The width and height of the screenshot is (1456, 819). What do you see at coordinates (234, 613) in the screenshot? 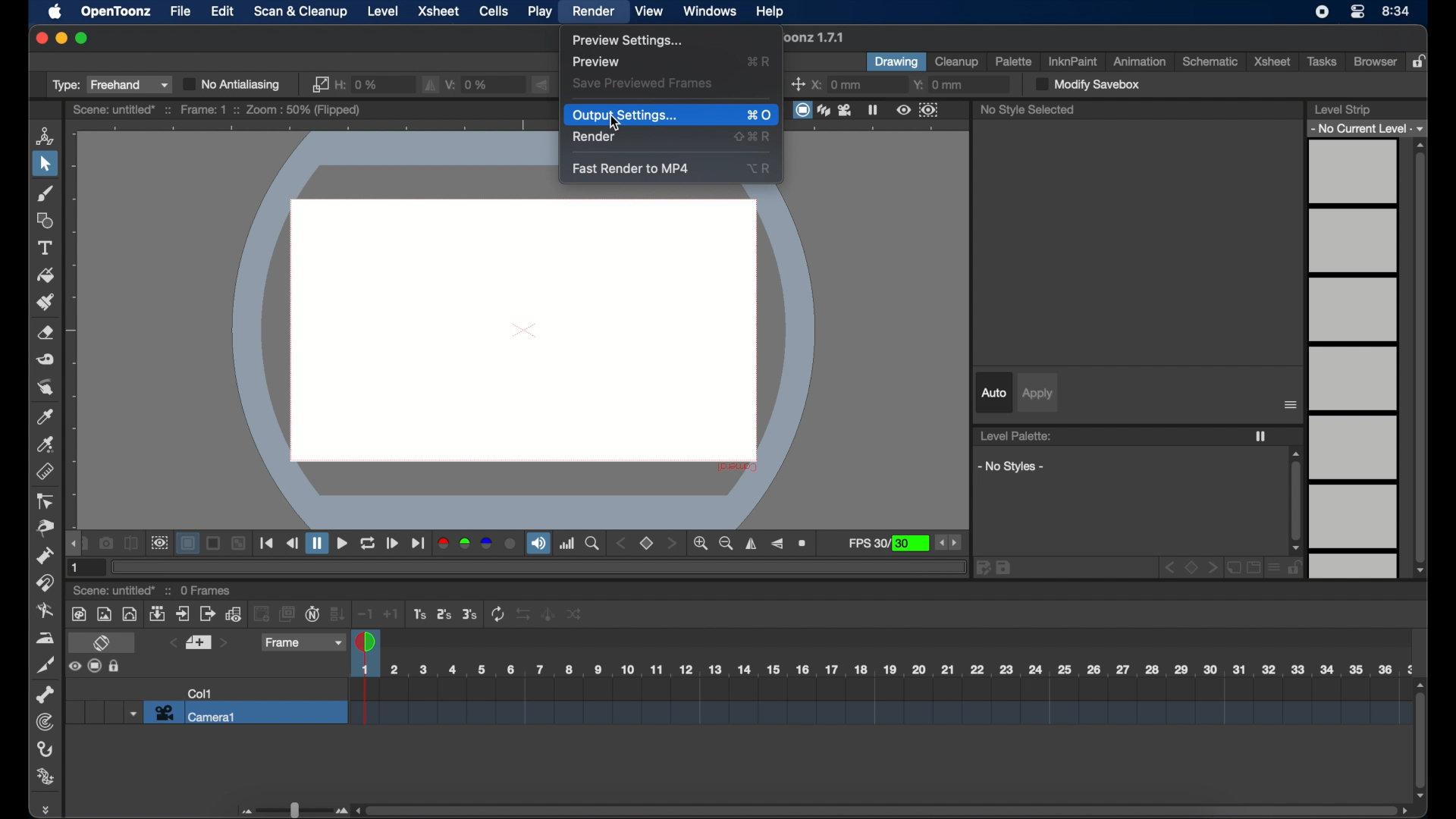
I see `` at bounding box center [234, 613].